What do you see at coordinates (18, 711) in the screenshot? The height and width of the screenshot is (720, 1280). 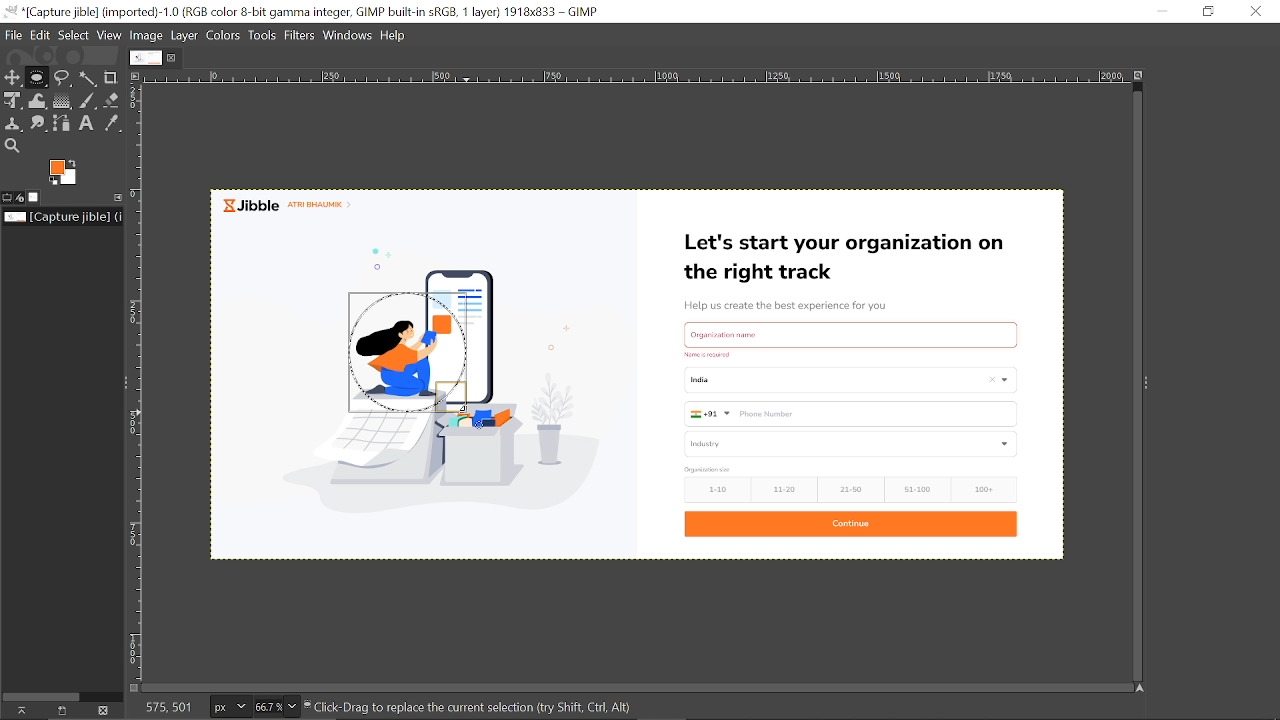 I see `raise this images display` at bounding box center [18, 711].